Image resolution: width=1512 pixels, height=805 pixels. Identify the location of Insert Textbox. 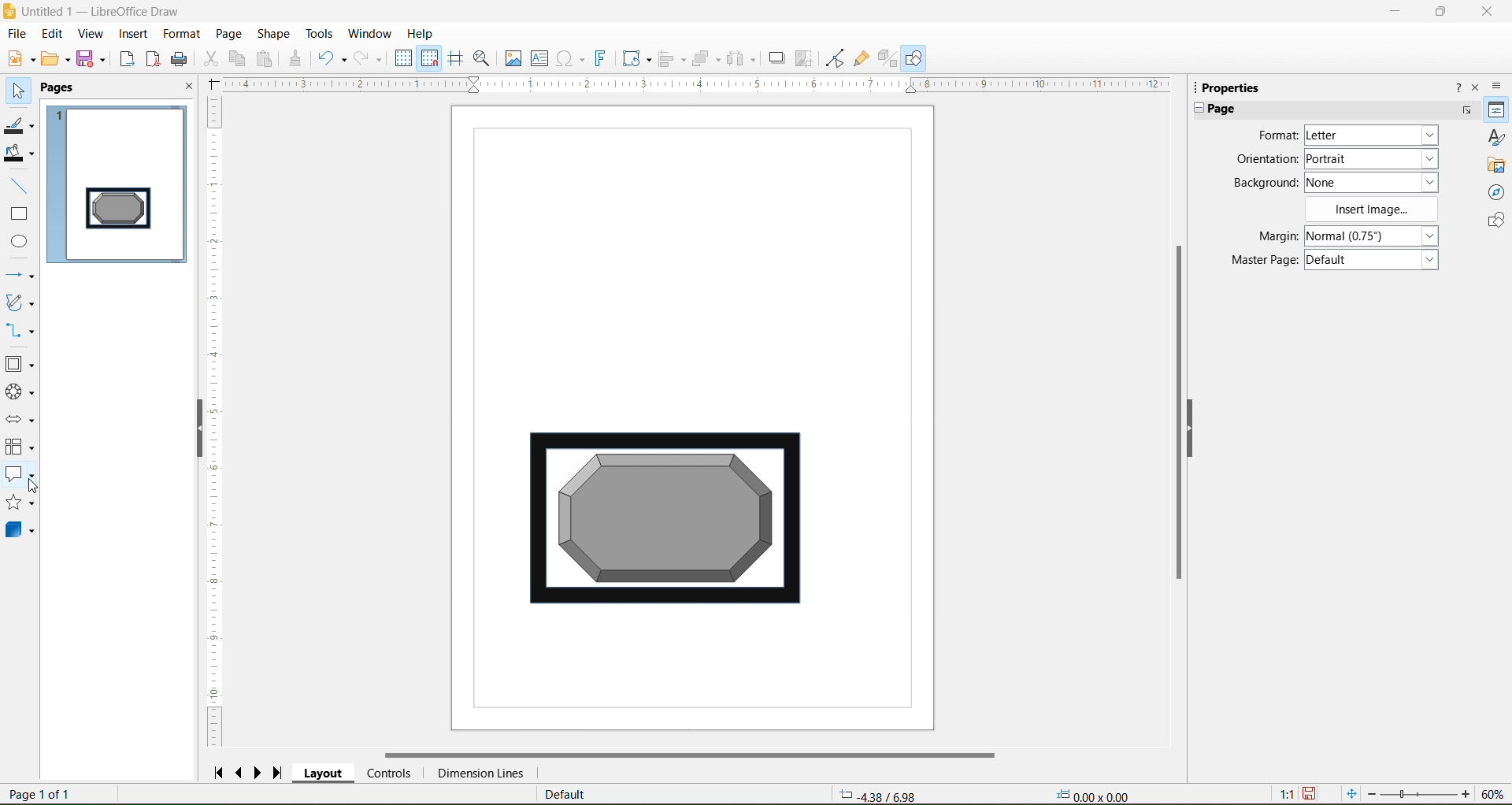
(539, 58).